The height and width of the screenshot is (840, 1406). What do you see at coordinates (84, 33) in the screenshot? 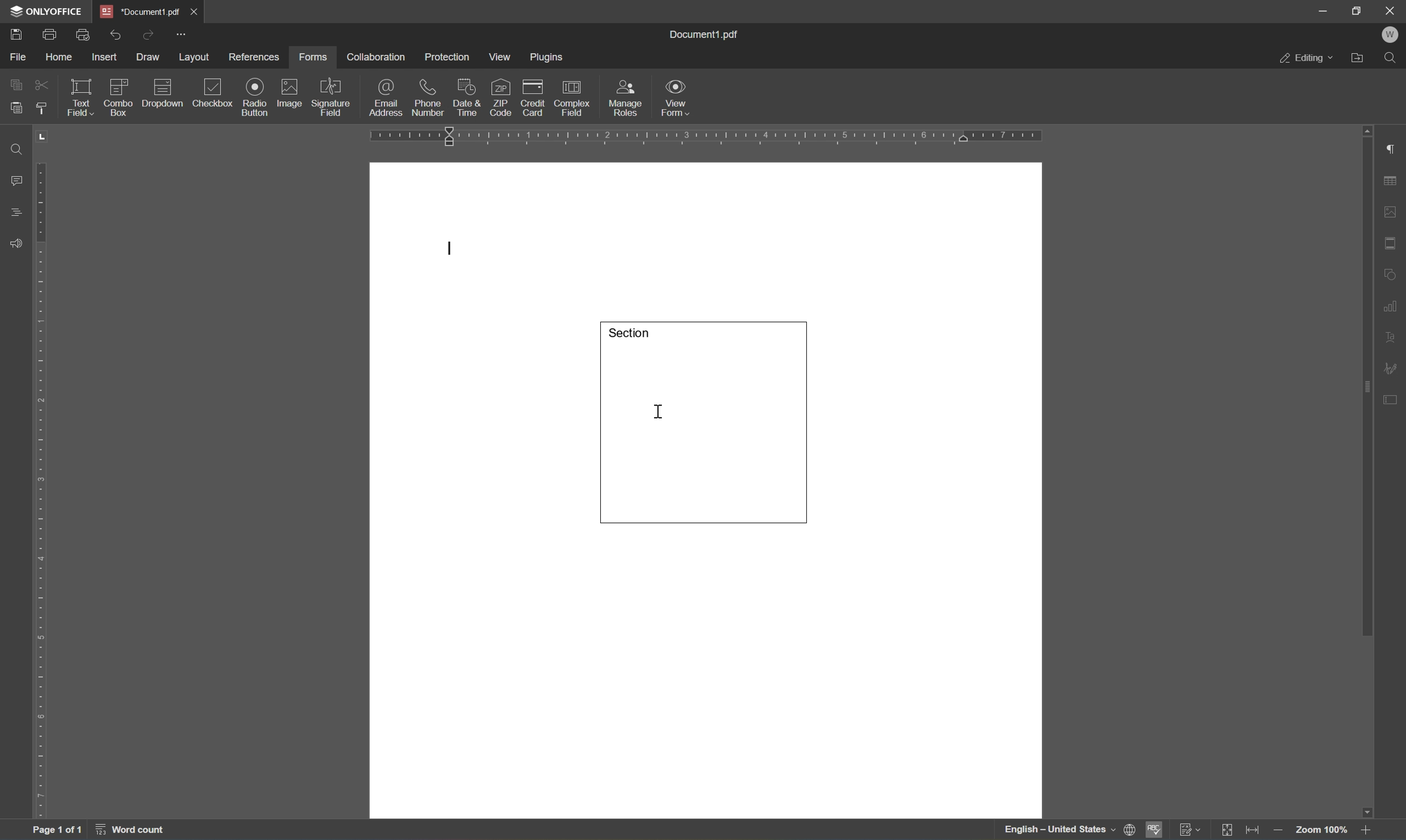
I see `print preview` at bounding box center [84, 33].